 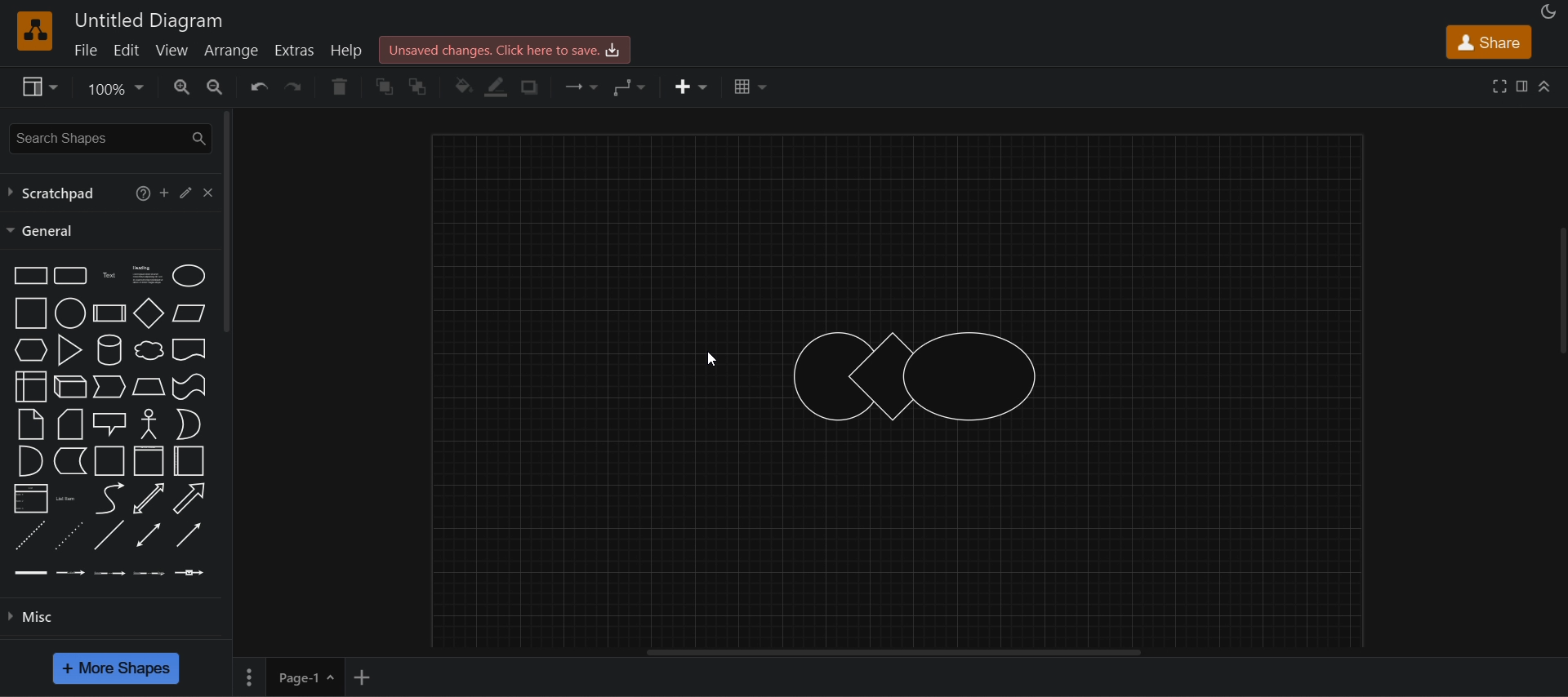 What do you see at coordinates (110, 571) in the screenshot?
I see `connector with 2 labels` at bounding box center [110, 571].